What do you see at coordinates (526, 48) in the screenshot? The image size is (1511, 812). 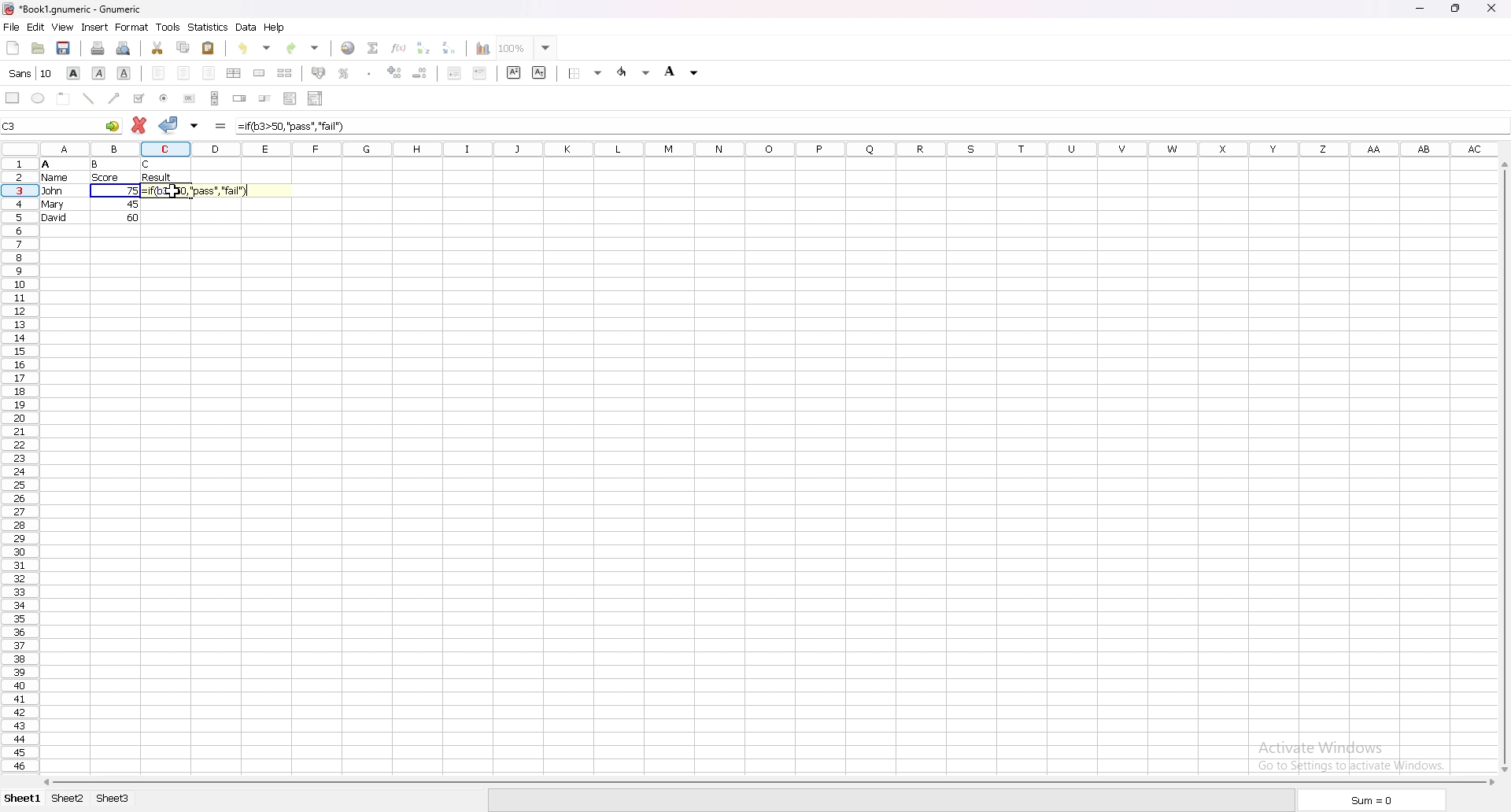 I see `zoom` at bounding box center [526, 48].